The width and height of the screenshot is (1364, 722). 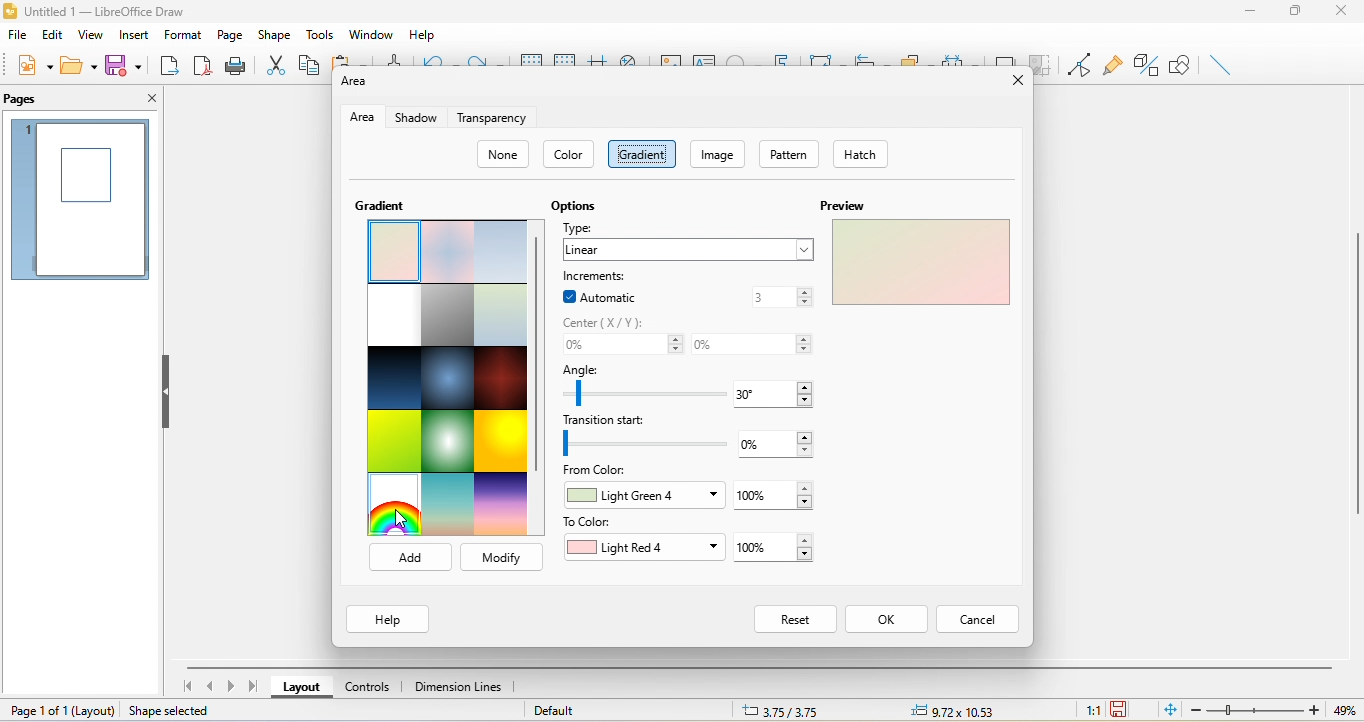 What do you see at coordinates (722, 154) in the screenshot?
I see `iamge` at bounding box center [722, 154].